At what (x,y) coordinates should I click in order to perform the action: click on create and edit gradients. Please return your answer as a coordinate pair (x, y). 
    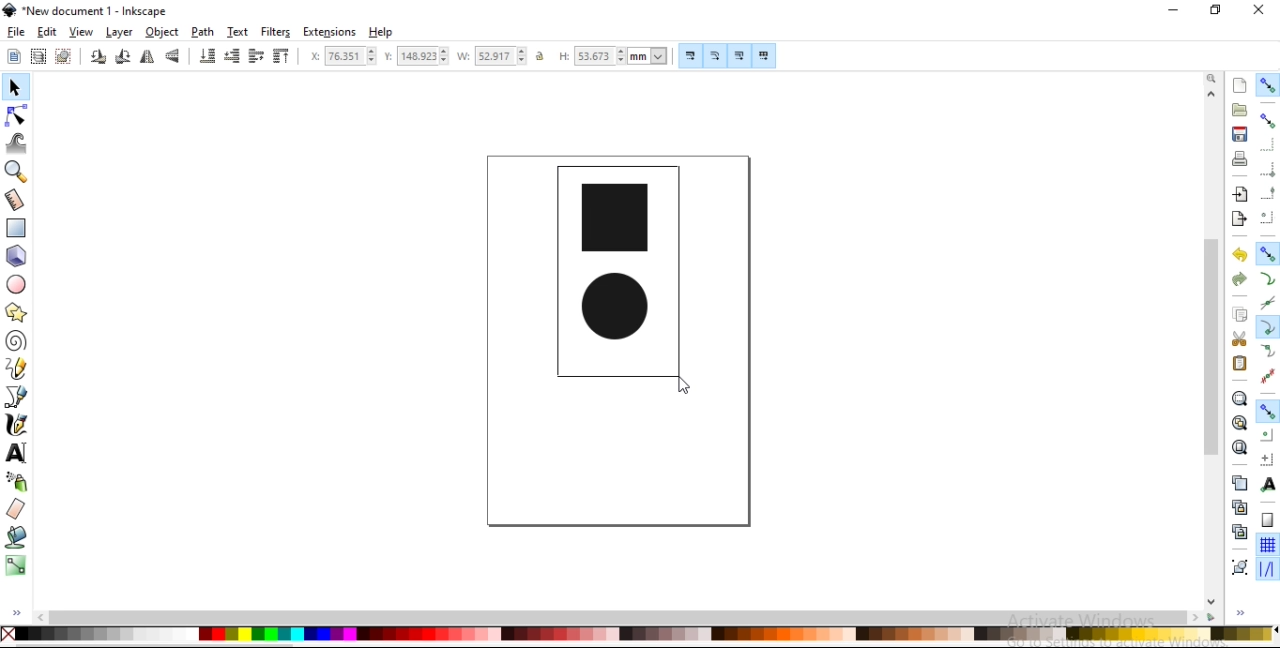
    Looking at the image, I should click on (17, 566).